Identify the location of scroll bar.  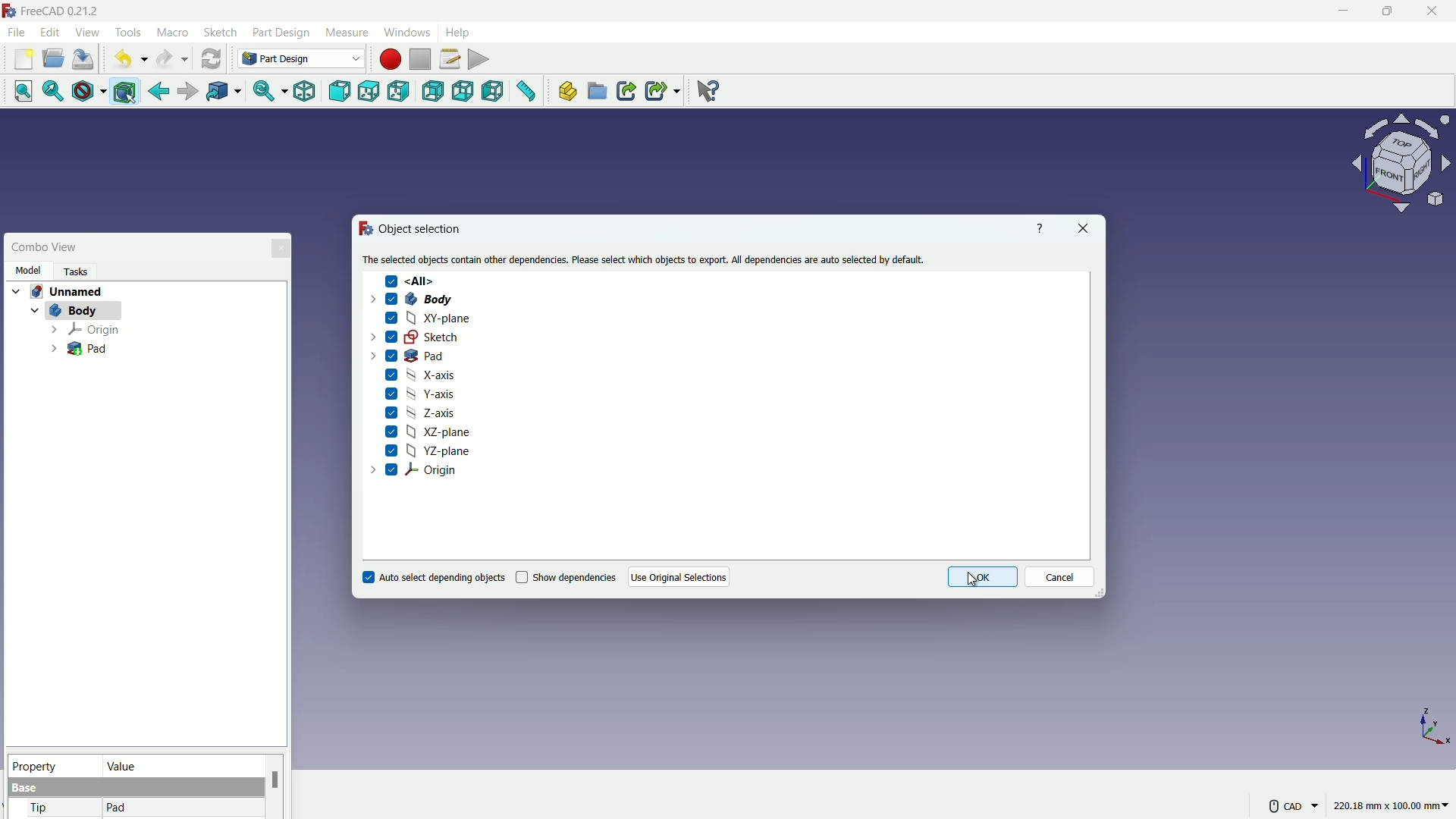
(275, 786).